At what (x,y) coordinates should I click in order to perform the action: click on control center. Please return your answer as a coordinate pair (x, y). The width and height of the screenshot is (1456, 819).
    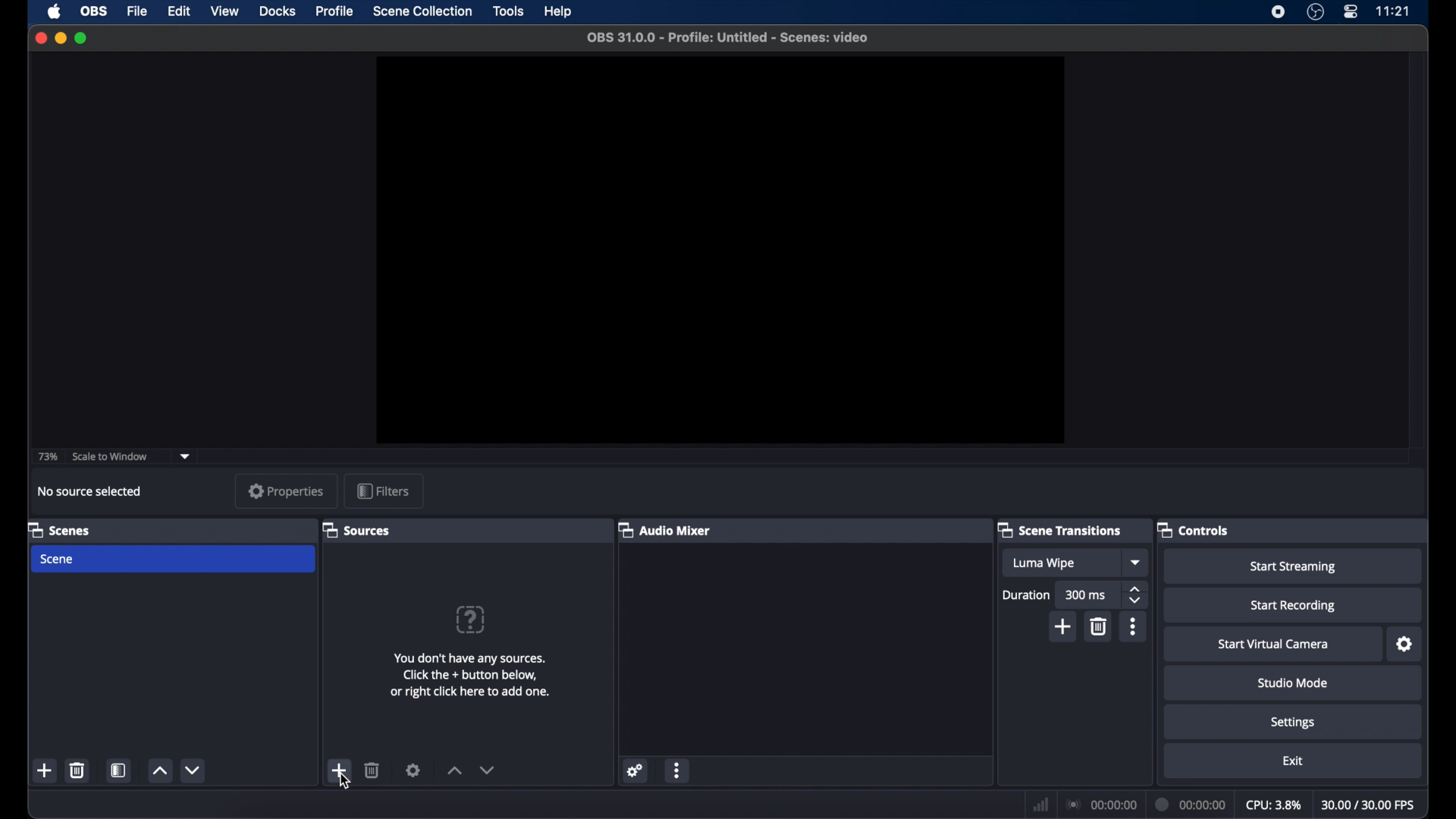
    Looking at the image, I should click on (1350, 12).